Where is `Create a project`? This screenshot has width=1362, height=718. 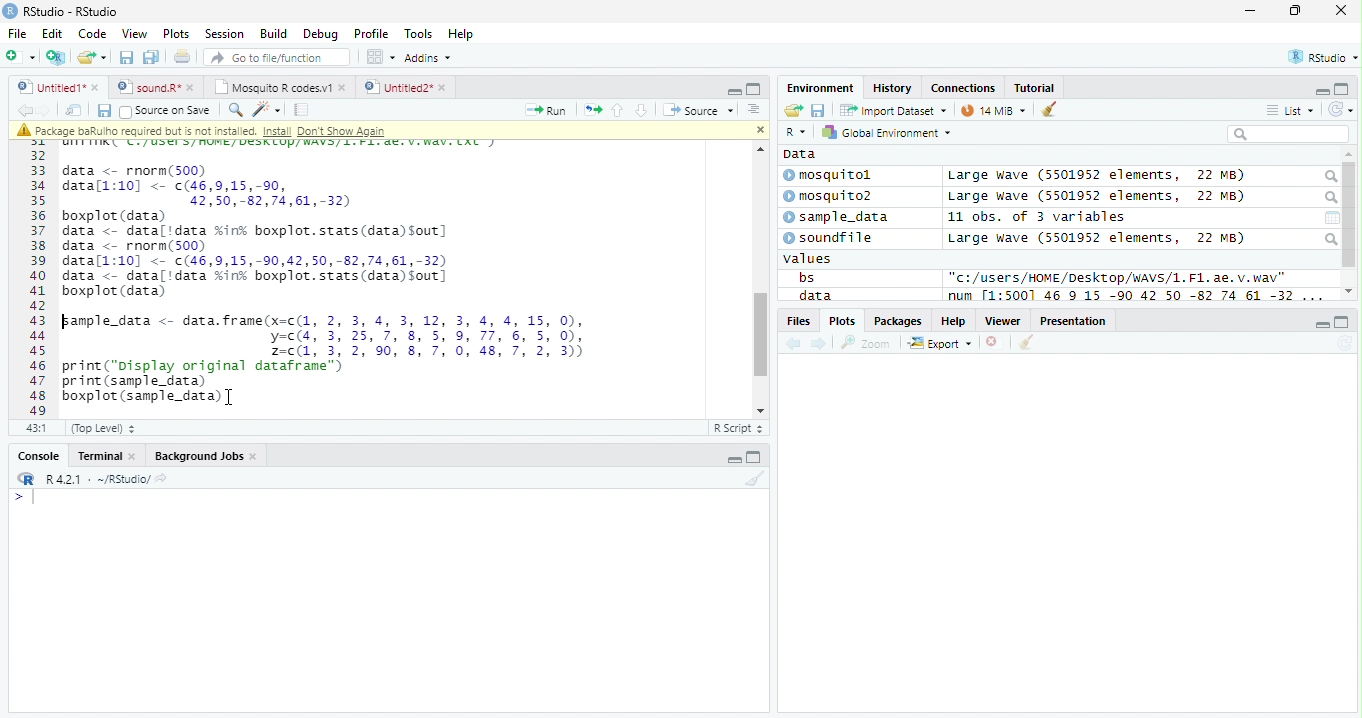
Create a project is located at coordinates (58, 57).